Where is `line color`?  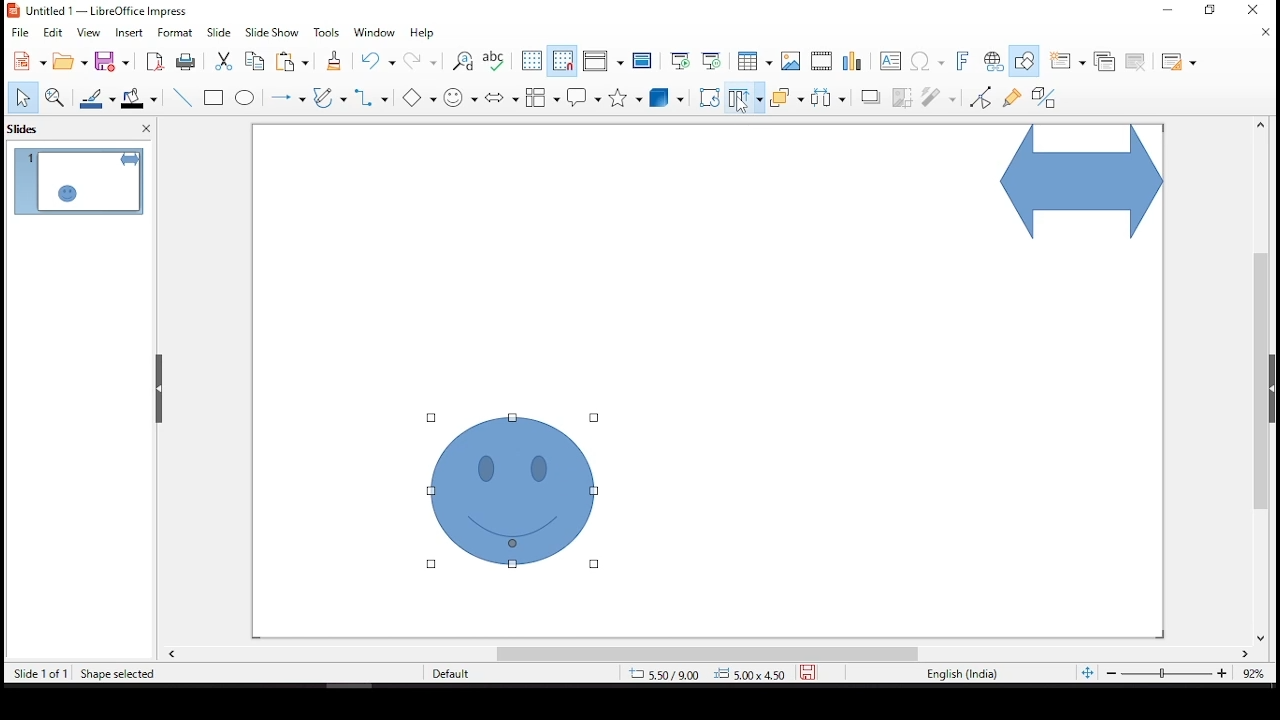
line color is located at coordinates (99, 98).